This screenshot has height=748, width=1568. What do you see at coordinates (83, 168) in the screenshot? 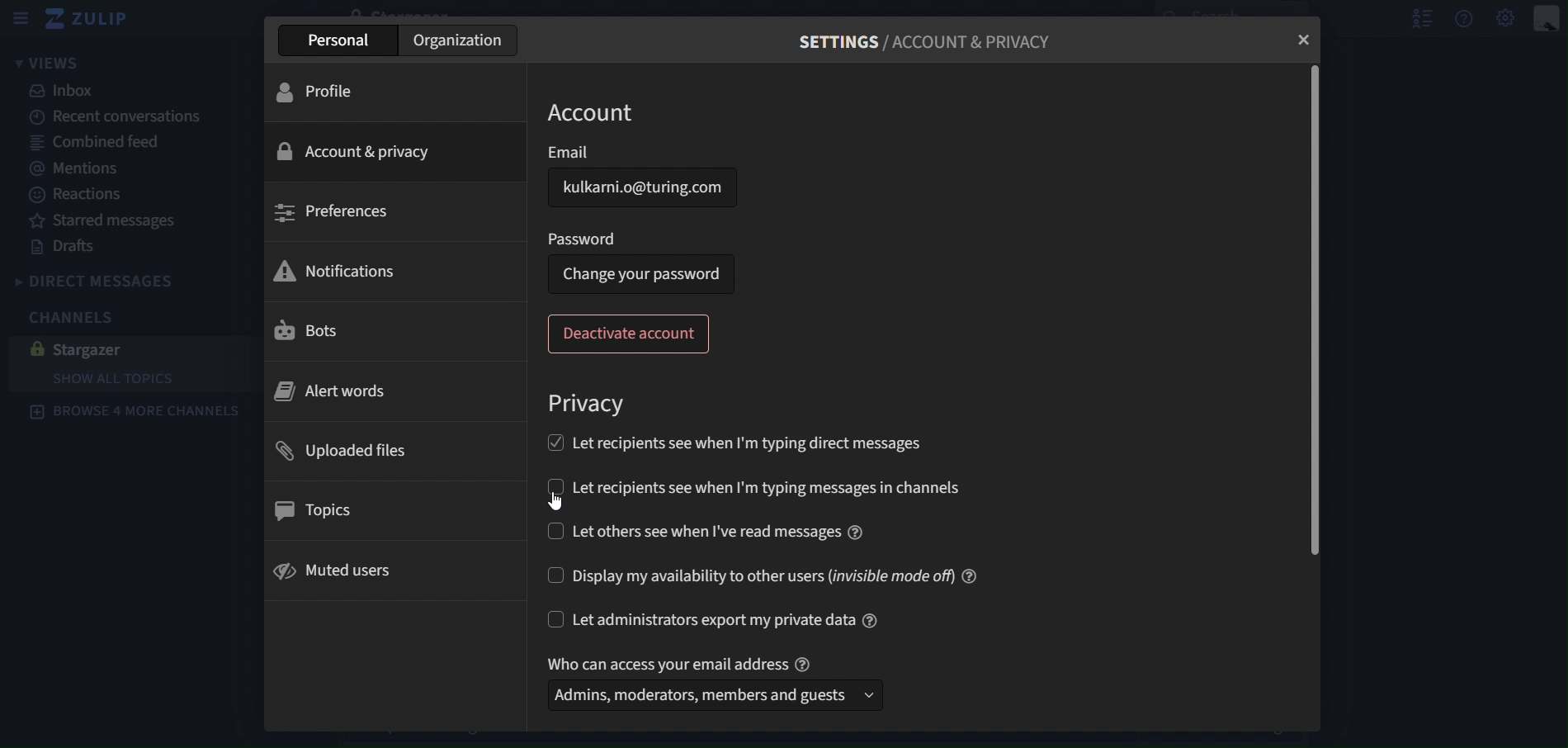
I see `mentions` at bounding box center [83, 168].